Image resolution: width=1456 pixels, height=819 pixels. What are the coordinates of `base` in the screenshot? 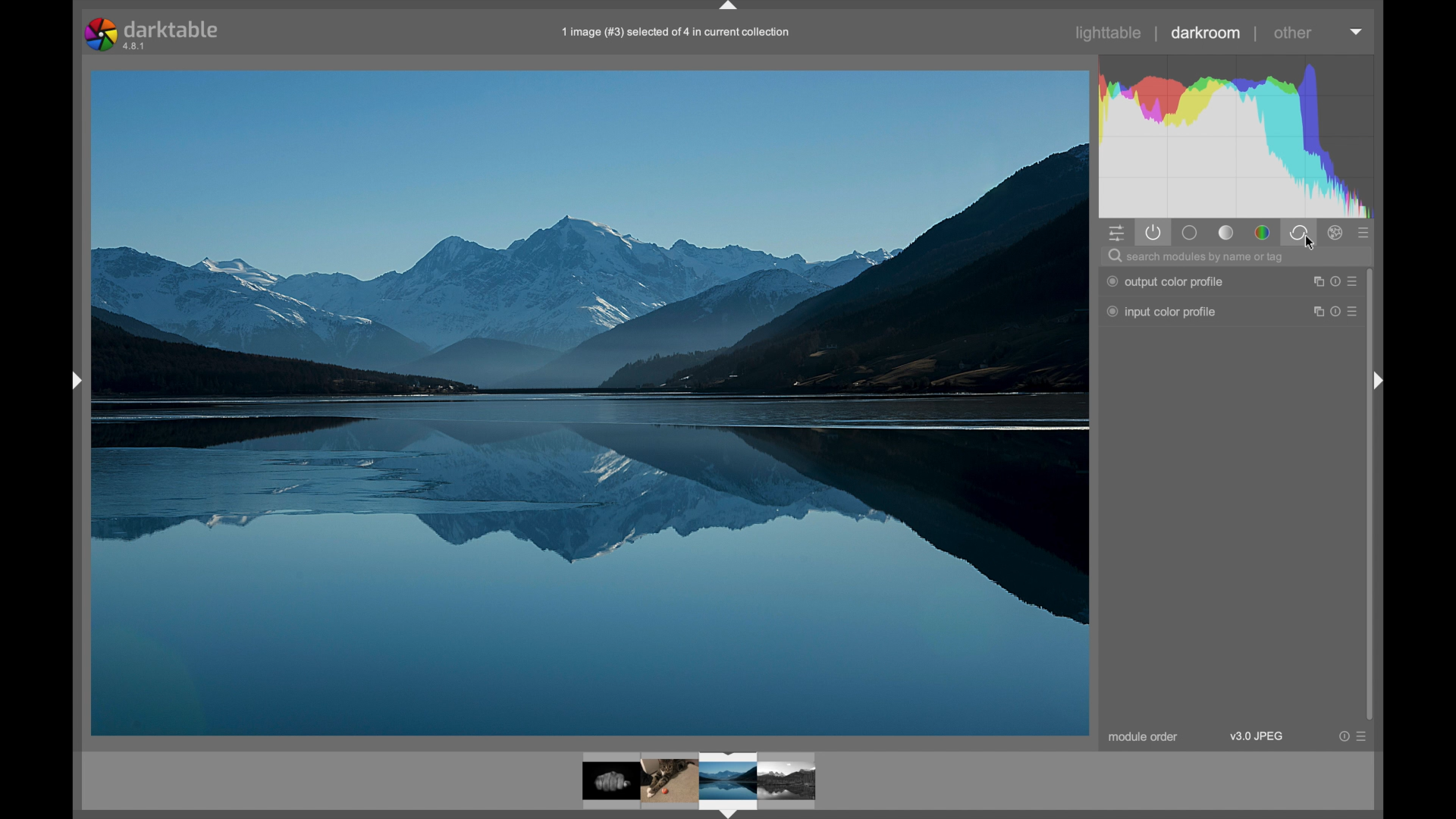 It's located at (1191, 233).